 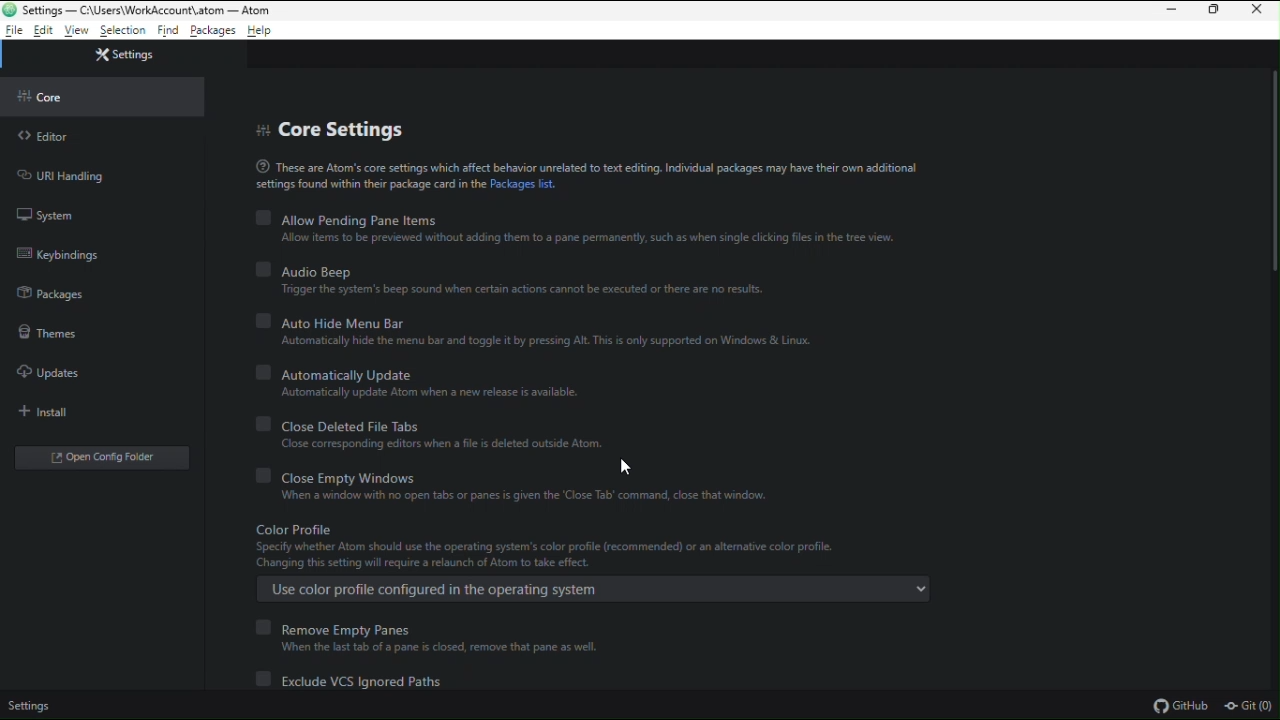 I want to click on find, so click(x=167, y=32).